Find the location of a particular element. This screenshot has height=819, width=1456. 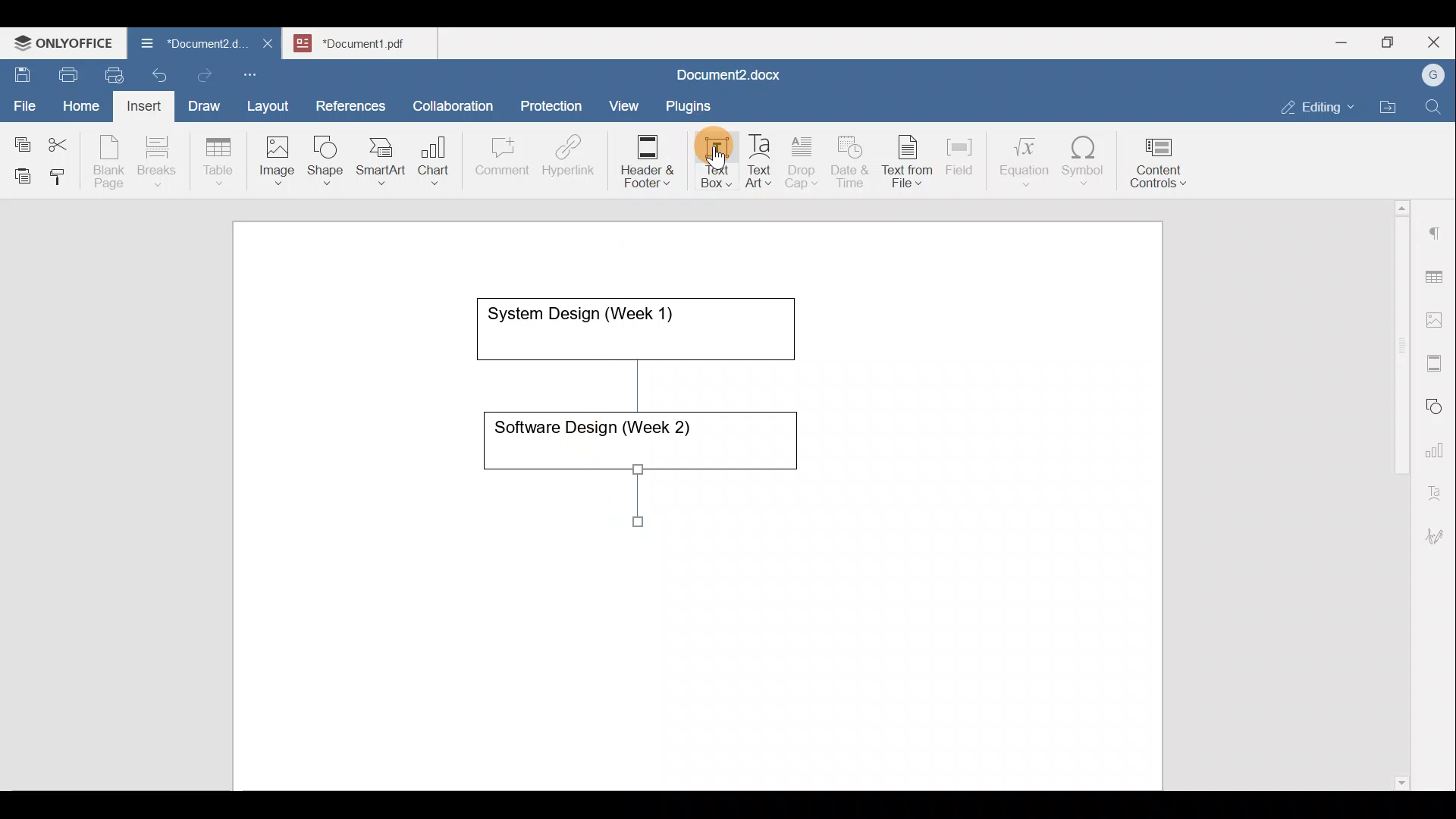

Text Art is located at coordinates (760, 162).